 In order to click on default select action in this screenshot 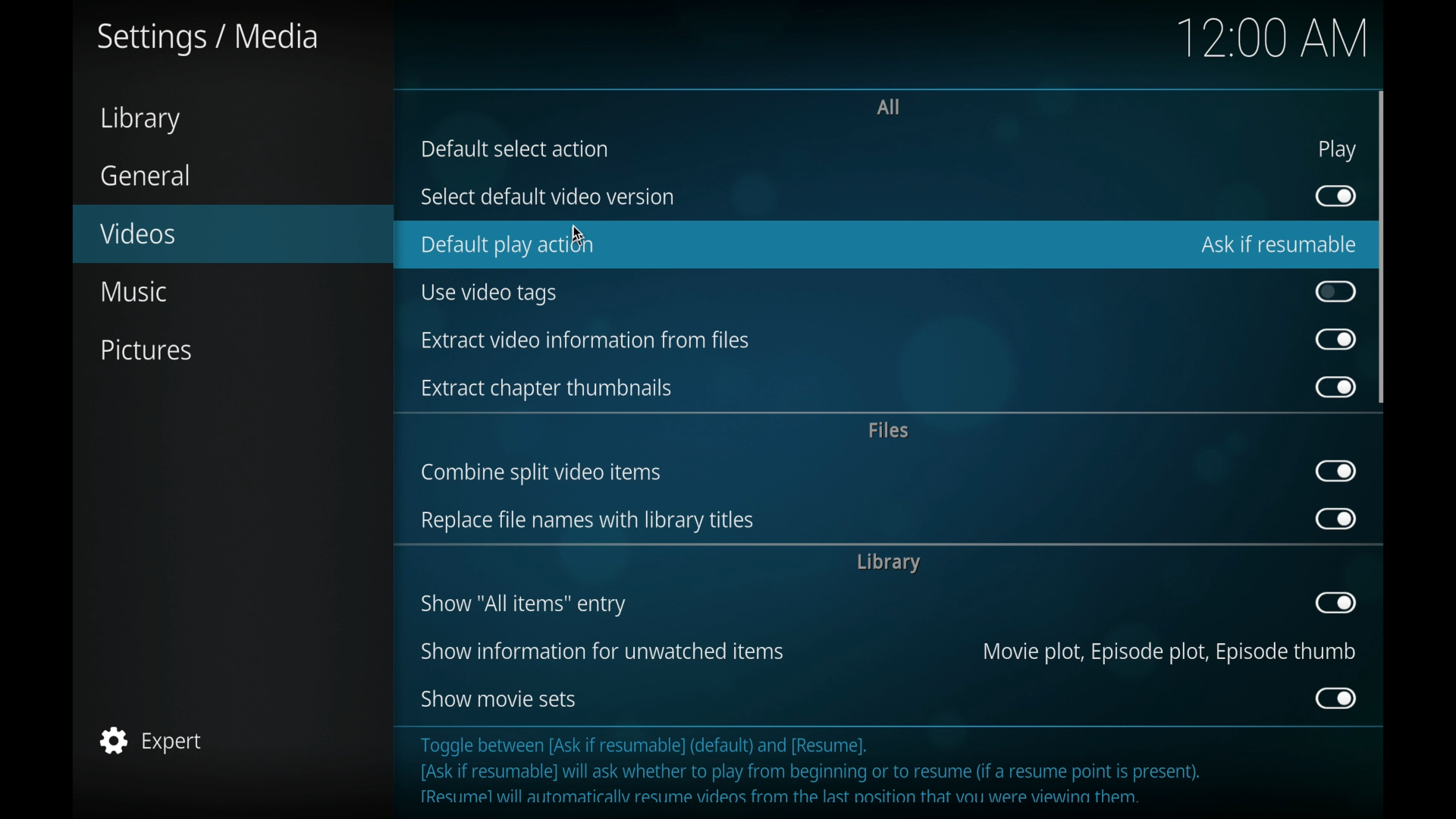, I will do `click(515, 149)`.